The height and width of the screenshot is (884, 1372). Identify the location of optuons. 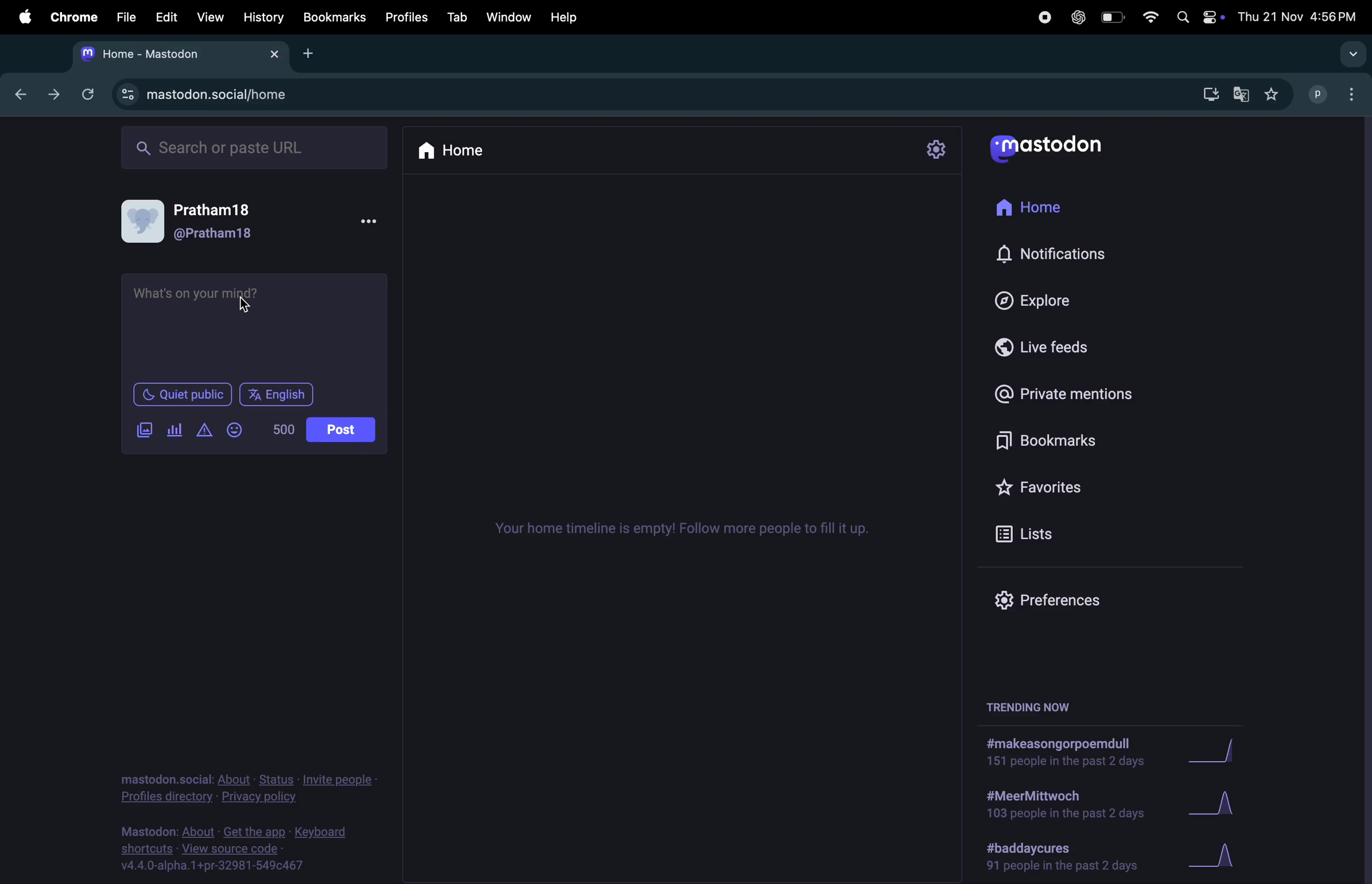
(1354, 93).